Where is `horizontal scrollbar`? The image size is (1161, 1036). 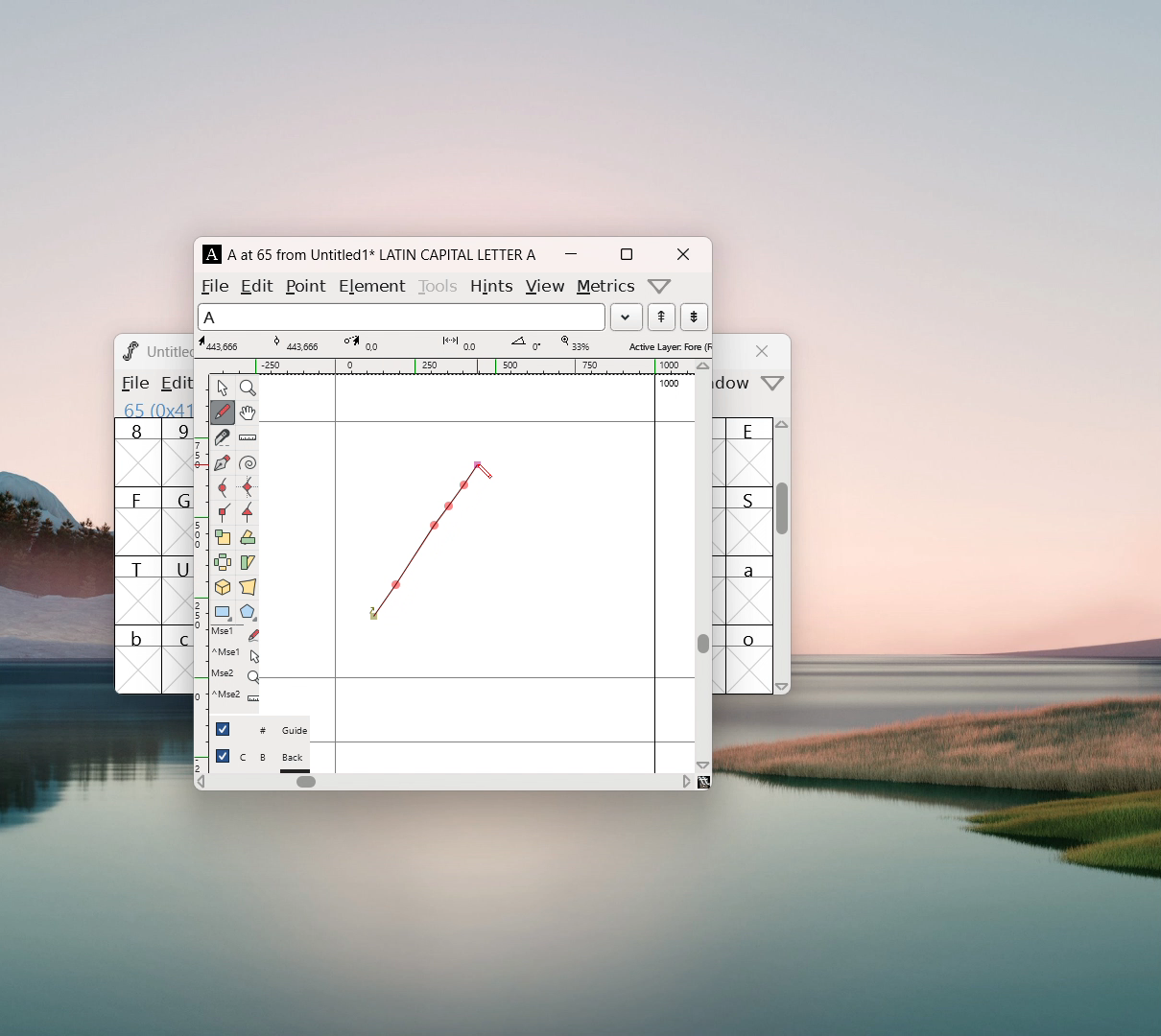 horizontal scrollbar is located at coordinates (306, 782).